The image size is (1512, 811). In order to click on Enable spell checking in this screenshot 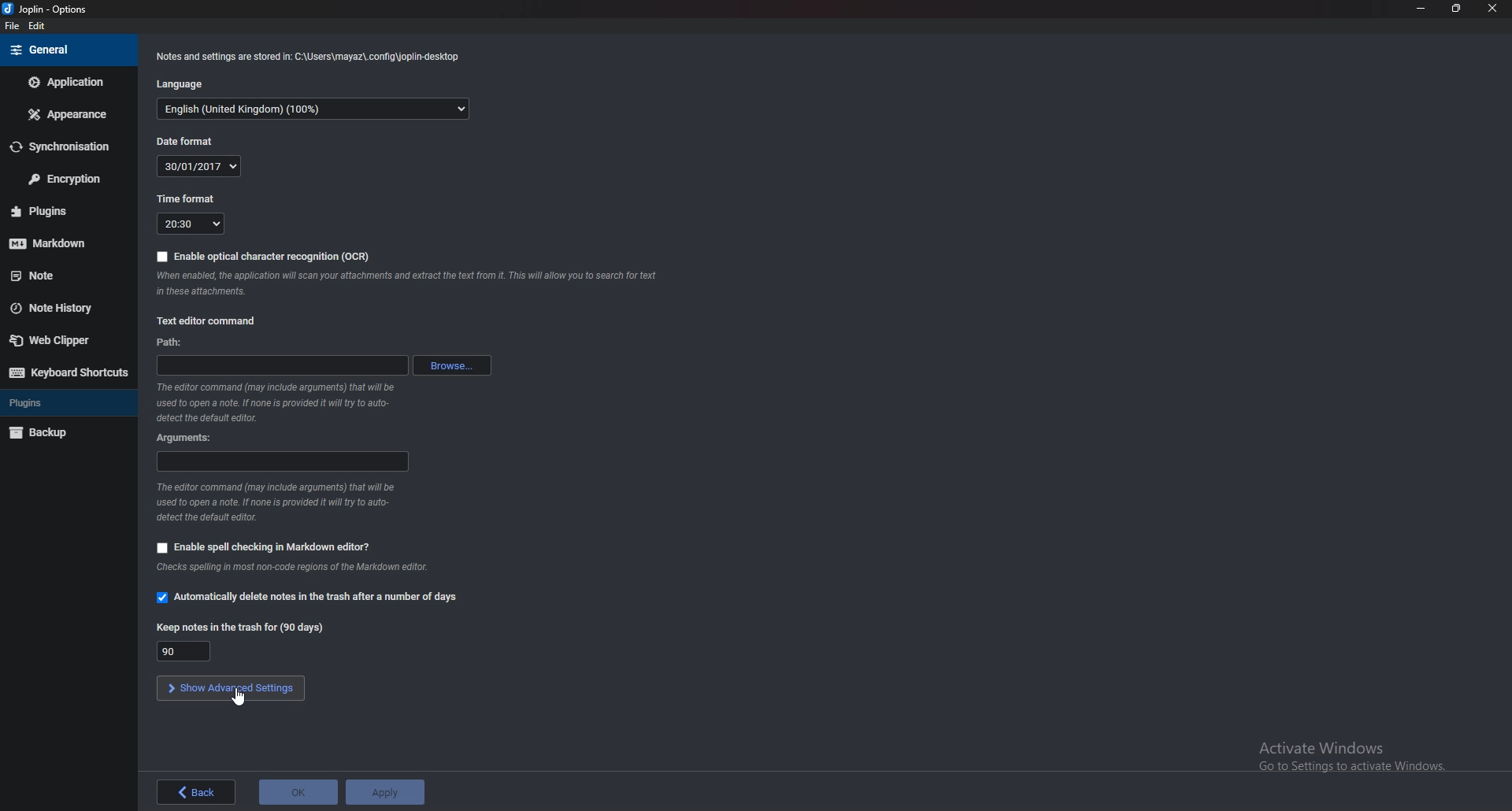, I will do `click(261, 546)`.